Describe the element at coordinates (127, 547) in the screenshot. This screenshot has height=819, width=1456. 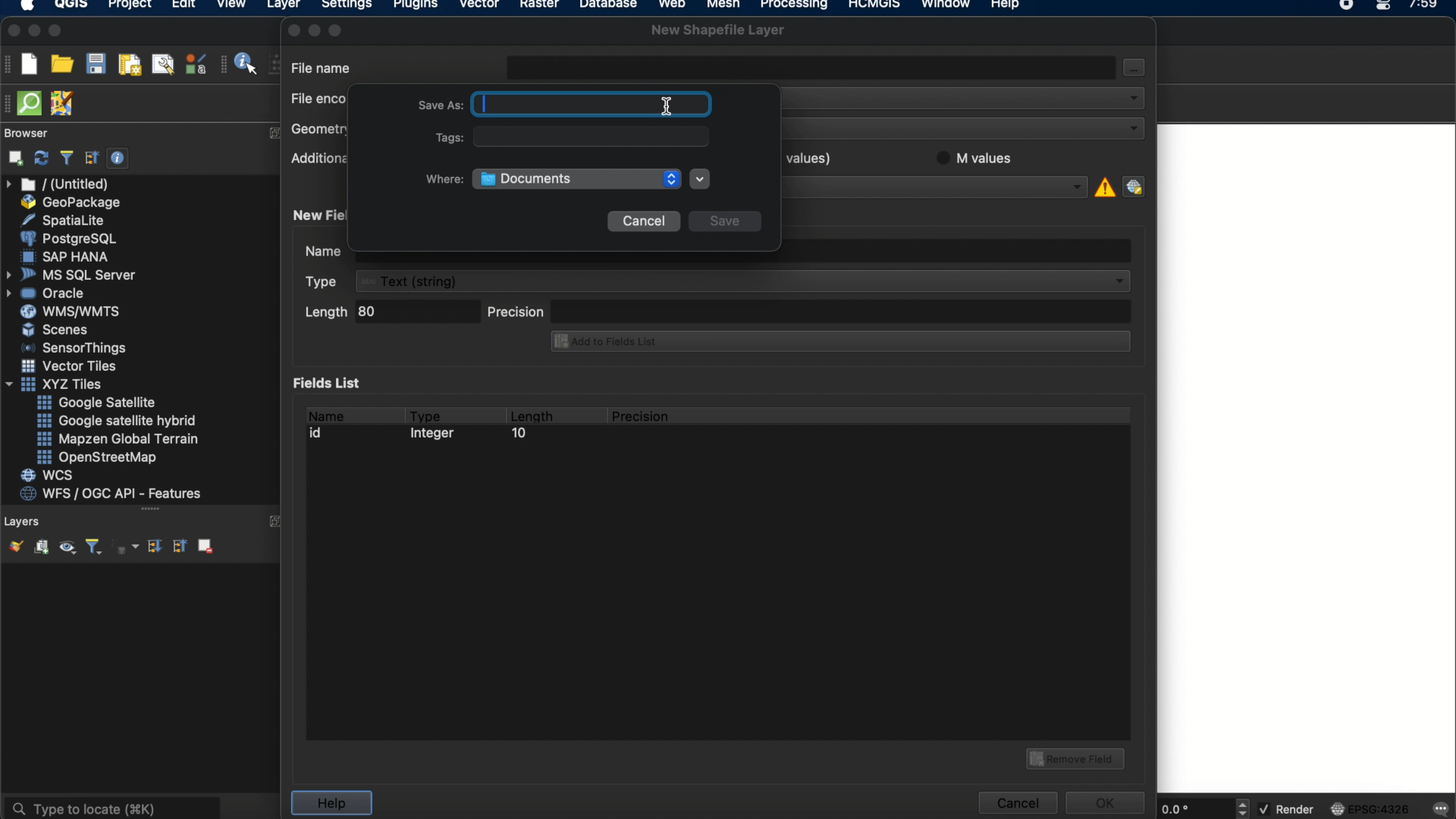
I see `filter legend by expression` at that location.